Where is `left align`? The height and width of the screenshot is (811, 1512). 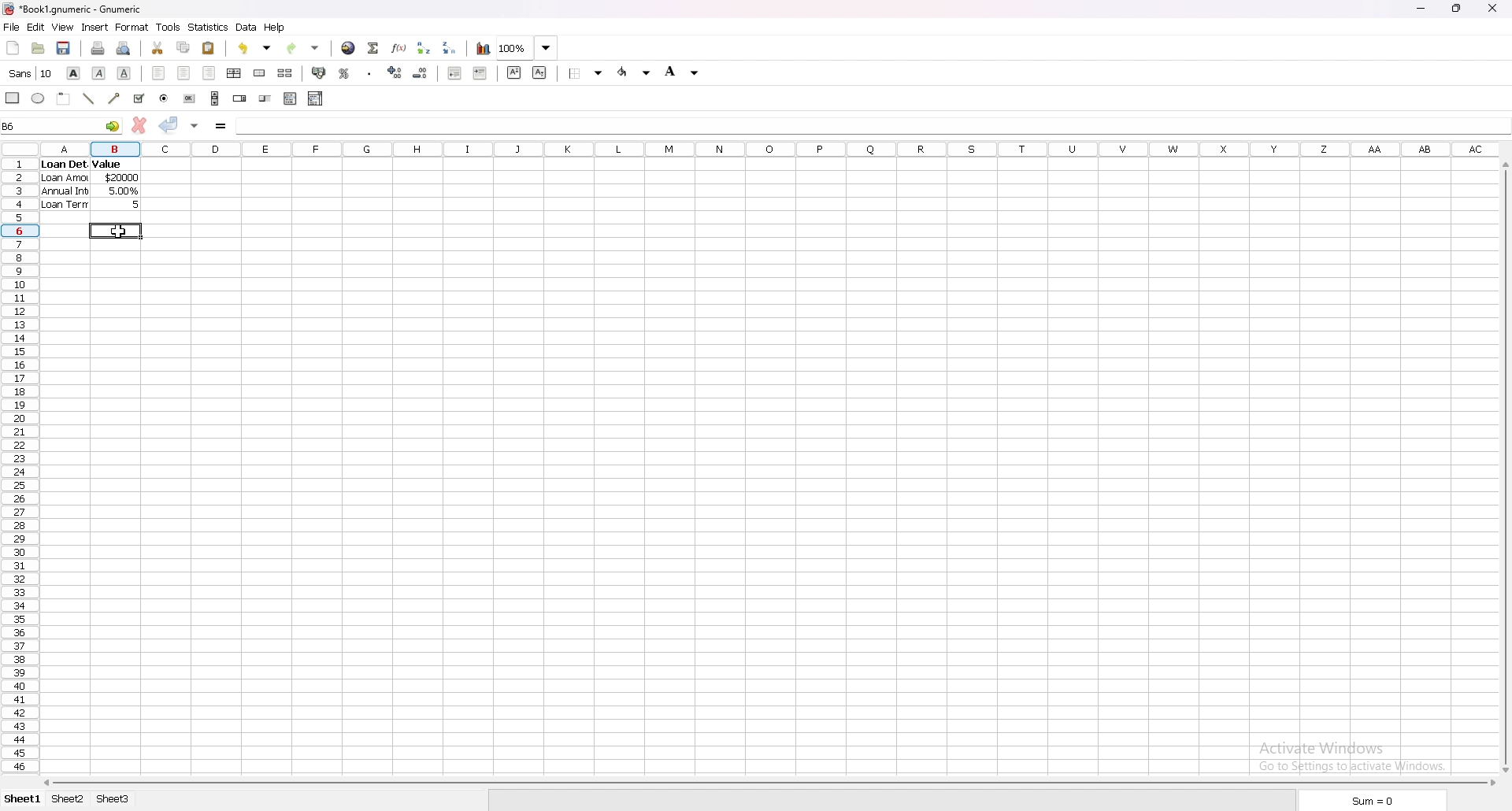 left align is located at coordinates (158, 72).